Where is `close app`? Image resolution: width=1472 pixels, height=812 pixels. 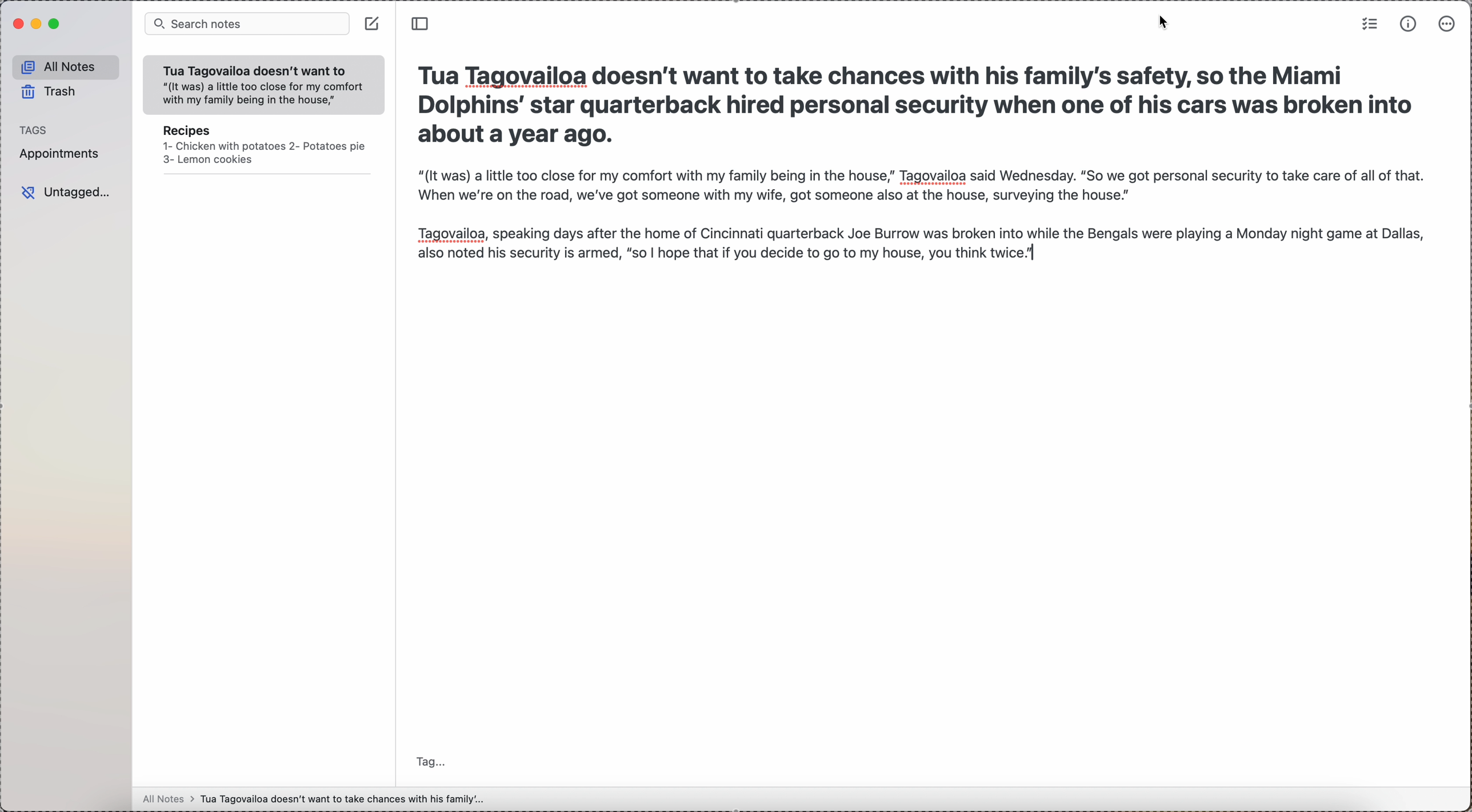
close app is located at coordinates (17, 25).